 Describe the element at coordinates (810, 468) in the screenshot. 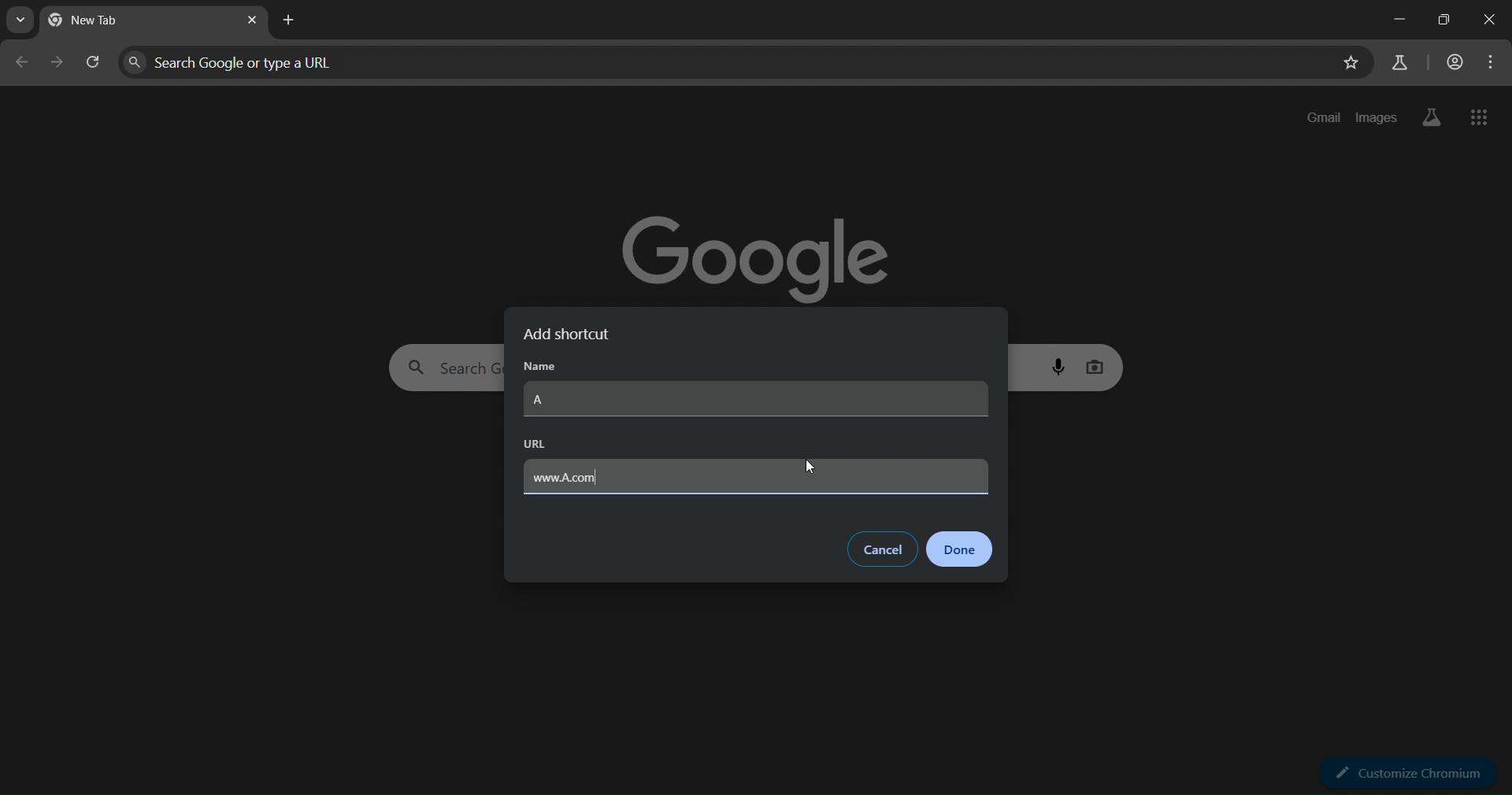

I see `cursor` at that location.